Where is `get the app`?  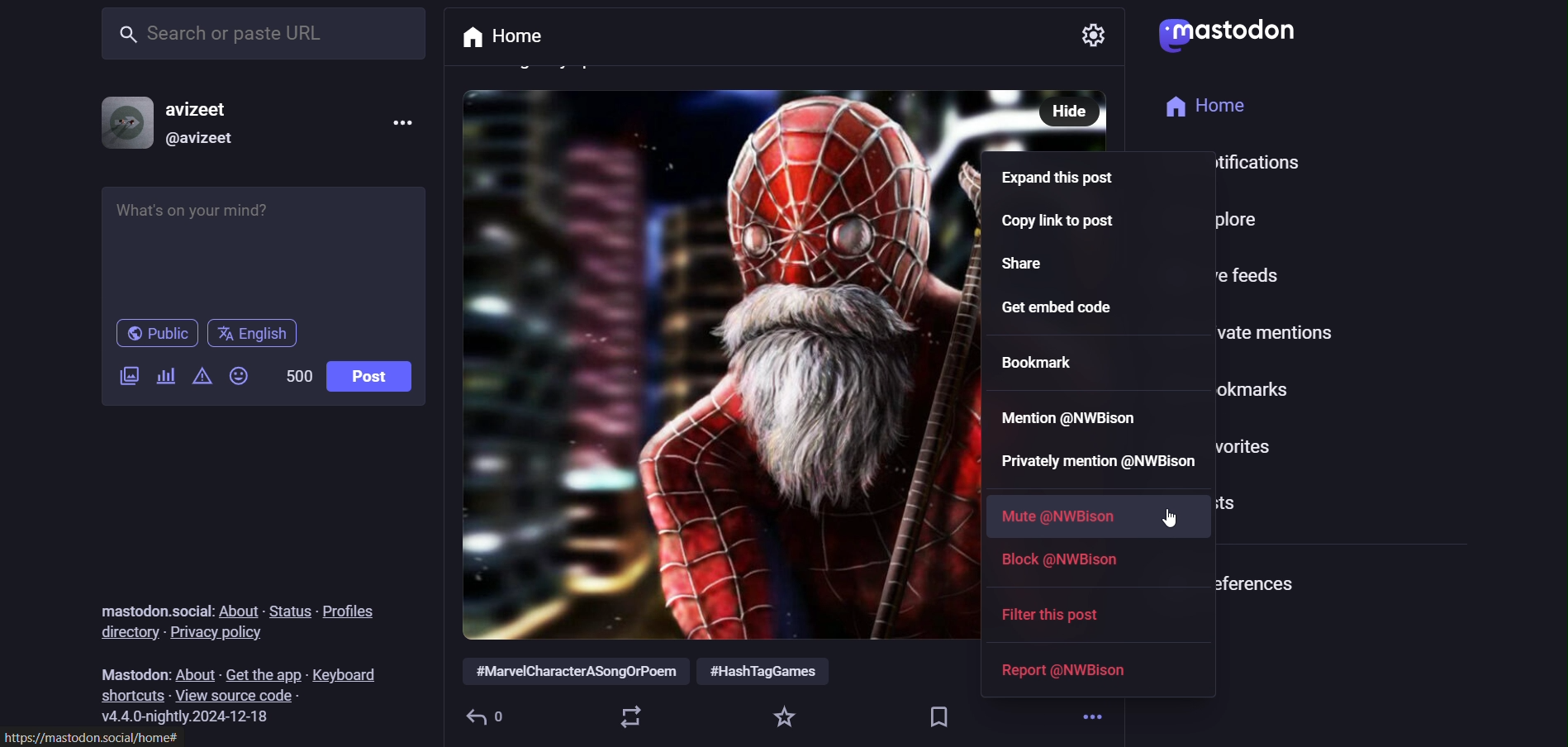
get the app is located at coordinates (264, 671).